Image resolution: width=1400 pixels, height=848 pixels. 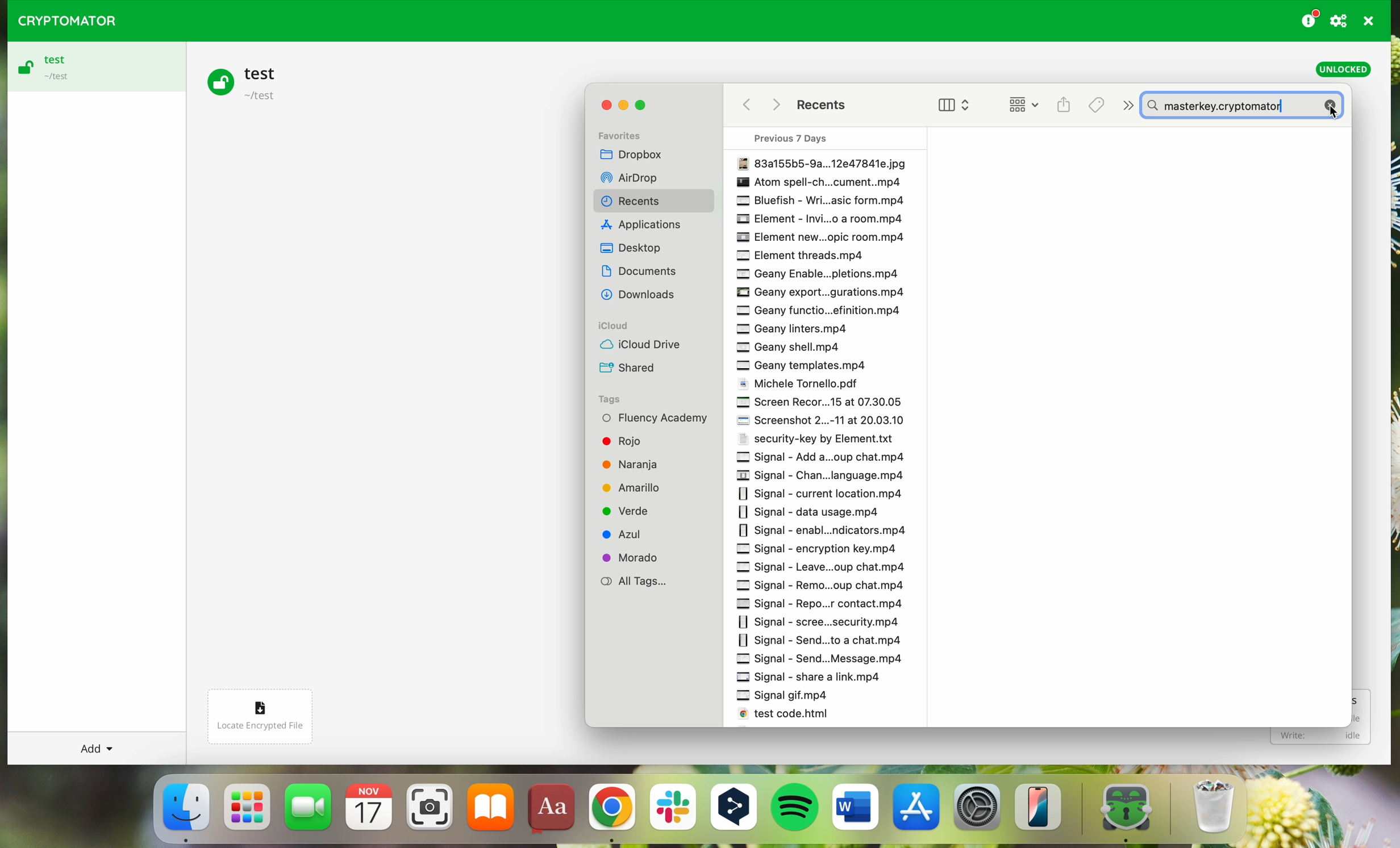 What do you see at coordinates (1223, 808) in the screenshot?
I see `bin` at bounding box center [1223, 808].